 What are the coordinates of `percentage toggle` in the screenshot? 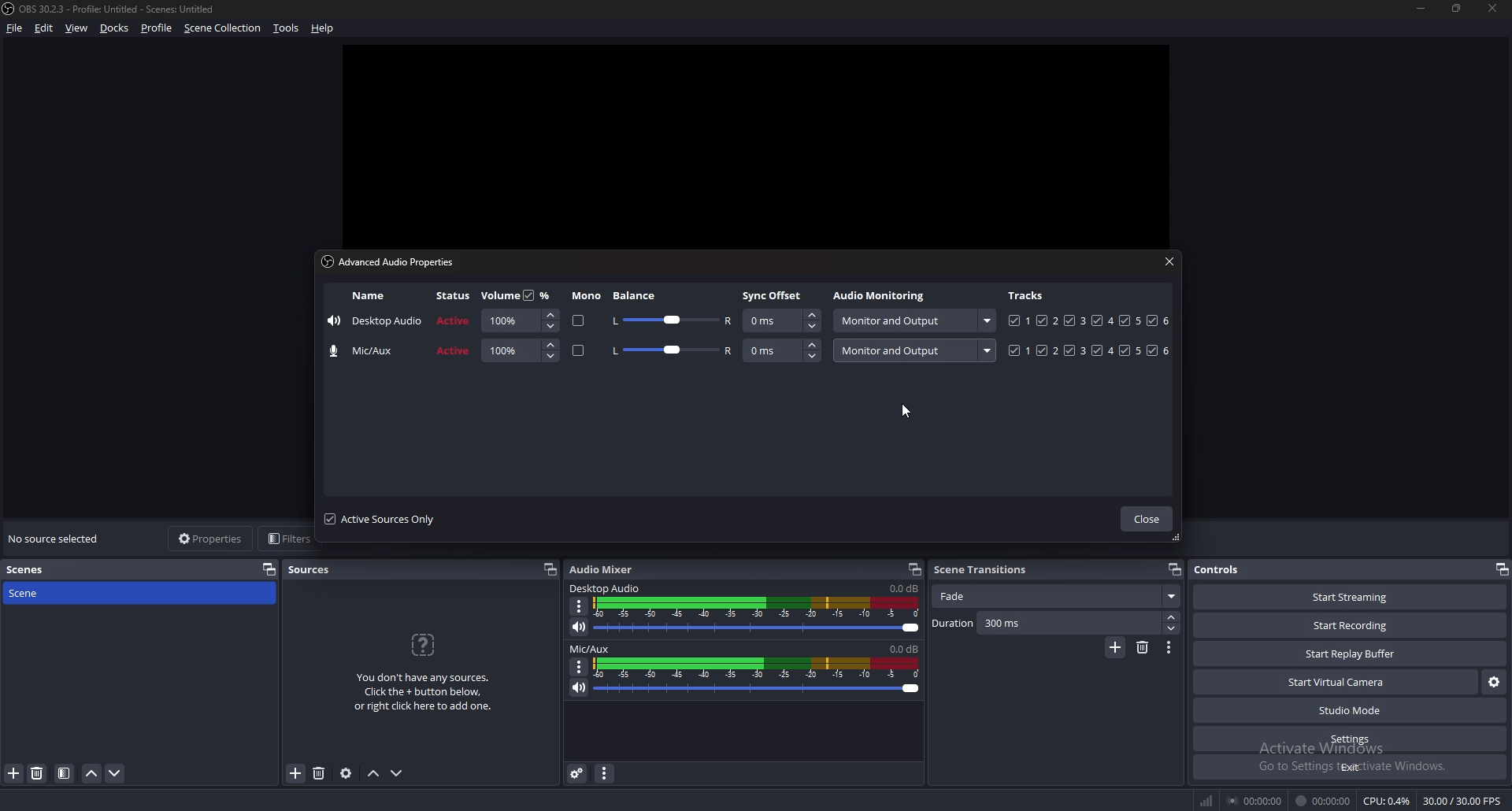 It's located at (539, 294).